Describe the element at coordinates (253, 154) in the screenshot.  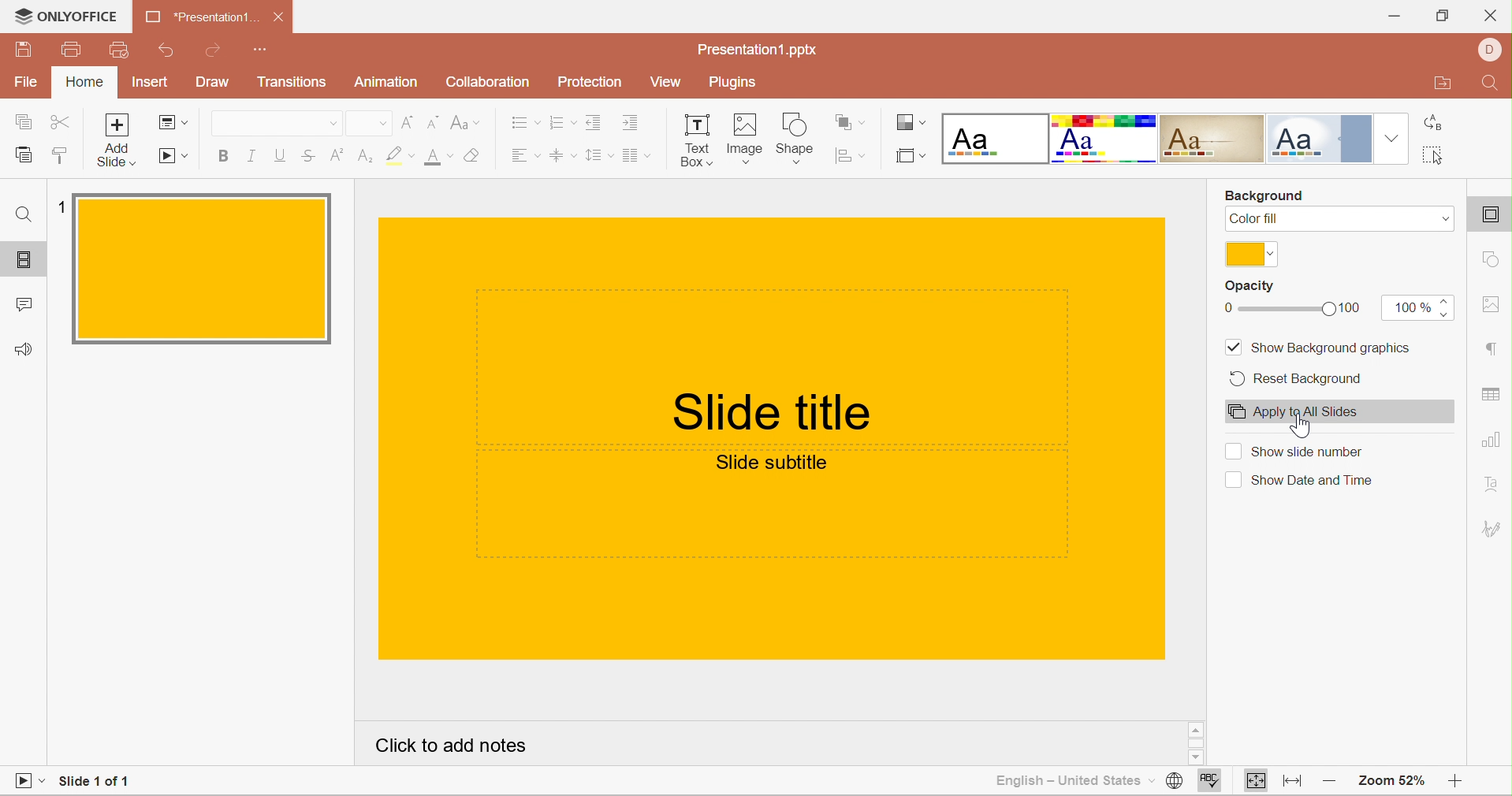
I see `Italic` at that location.